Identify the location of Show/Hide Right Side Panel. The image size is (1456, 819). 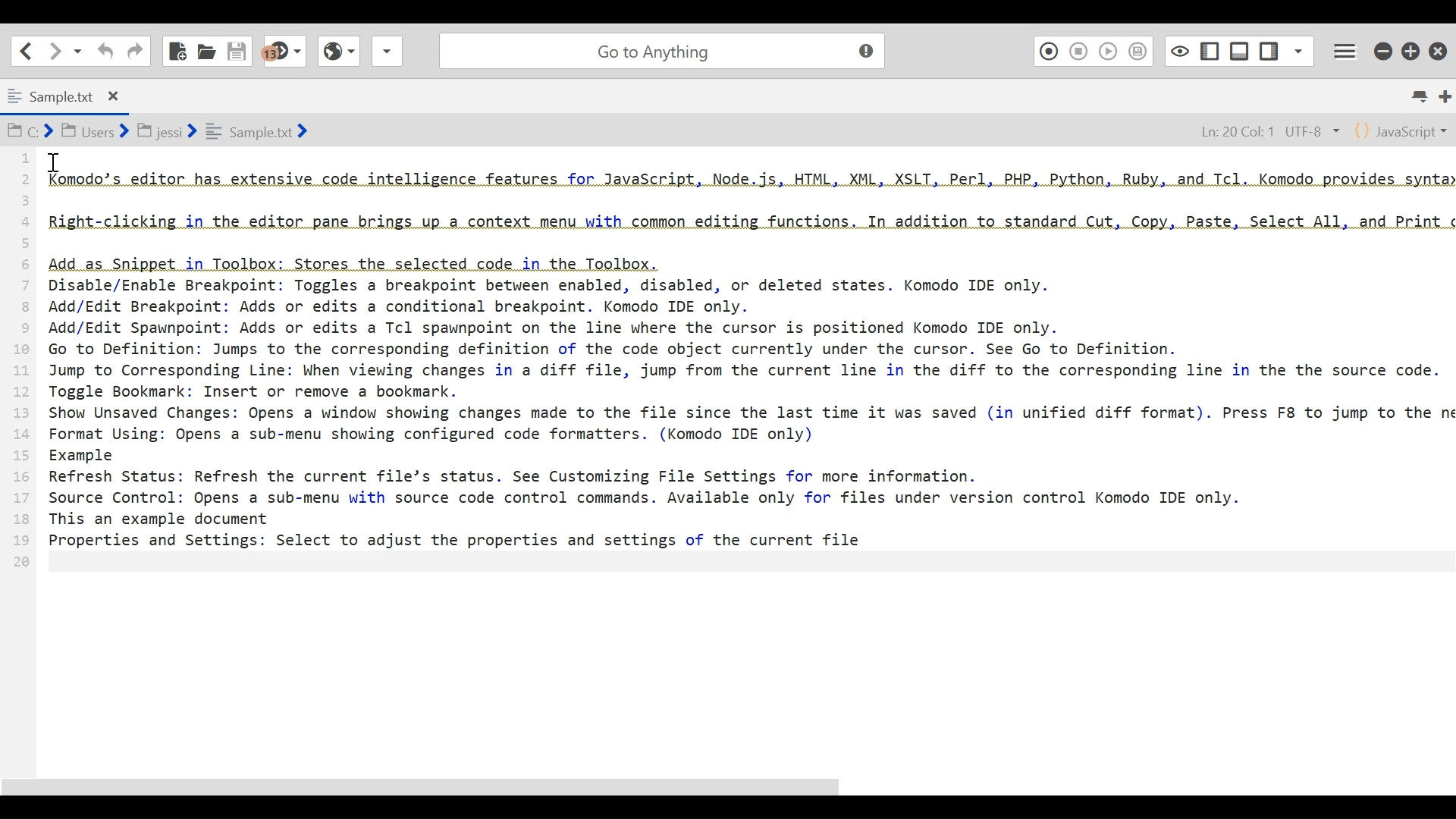
(1209, 49).